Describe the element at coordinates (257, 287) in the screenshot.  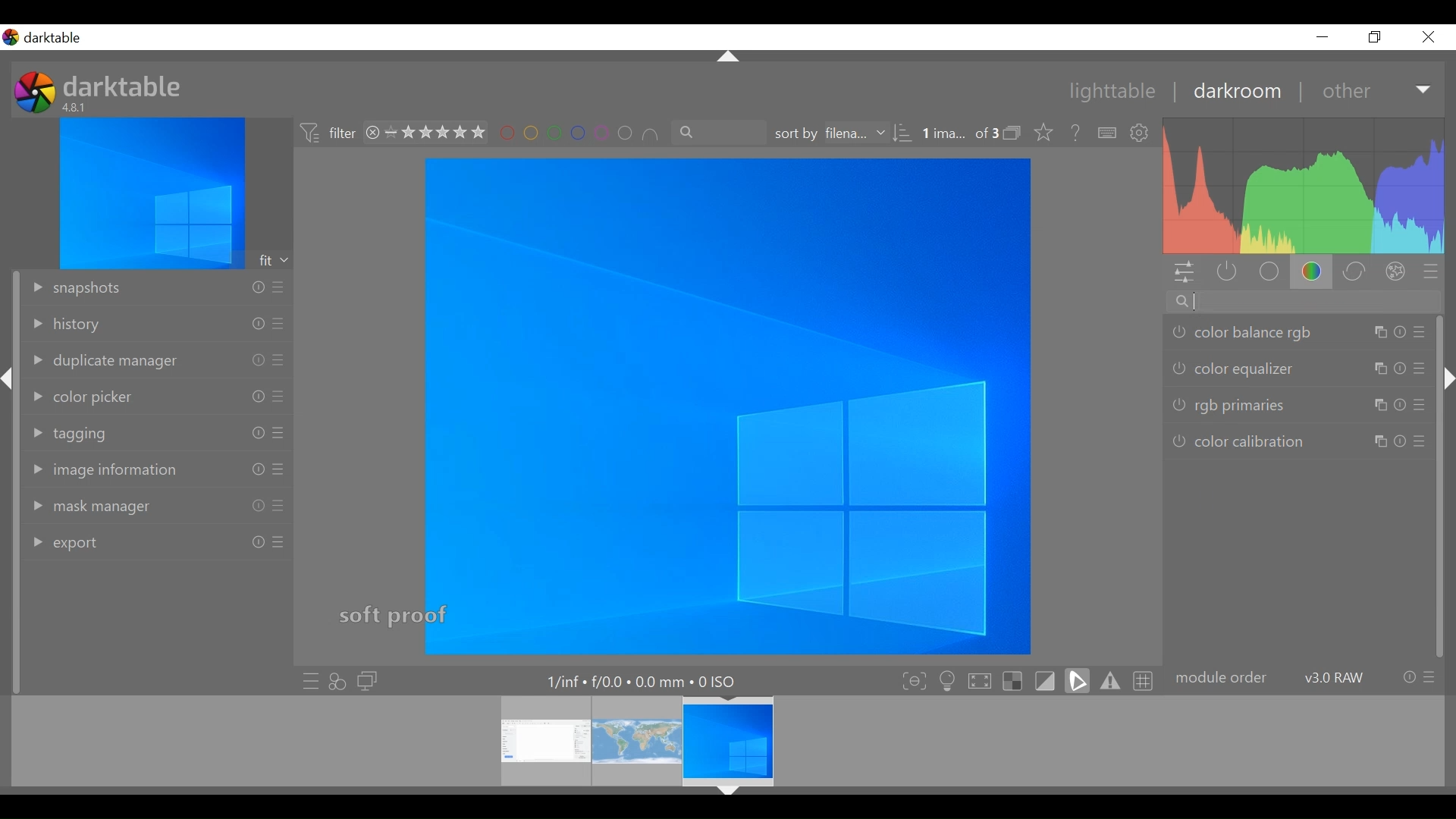
I see `info` at that location.